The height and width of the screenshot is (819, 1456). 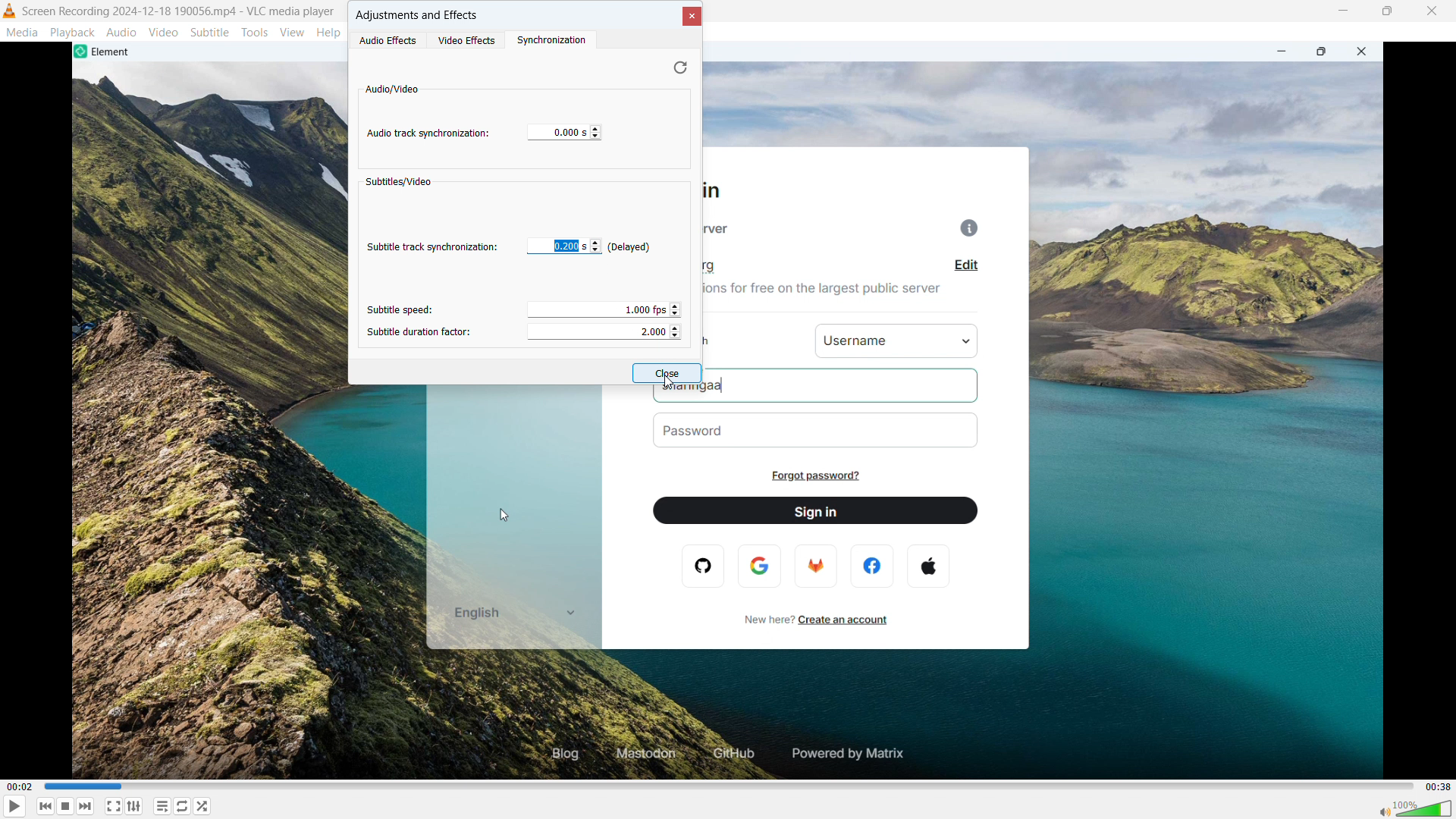 What do you see at coordinates (118, 52) in the screenshot?
I see `element` at bounding box center [118, 52].